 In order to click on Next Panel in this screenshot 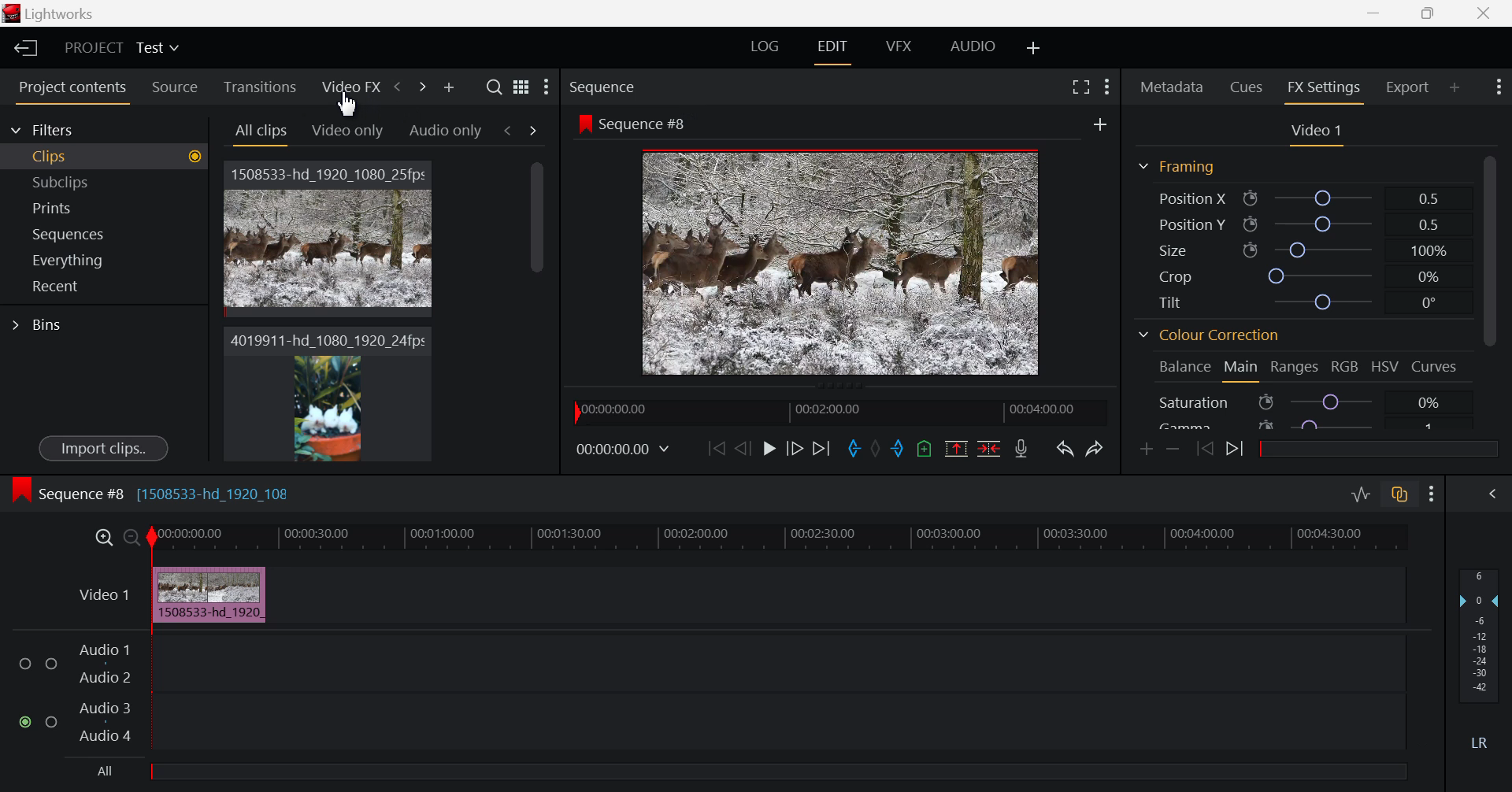, I will do `click(421, 87)`.